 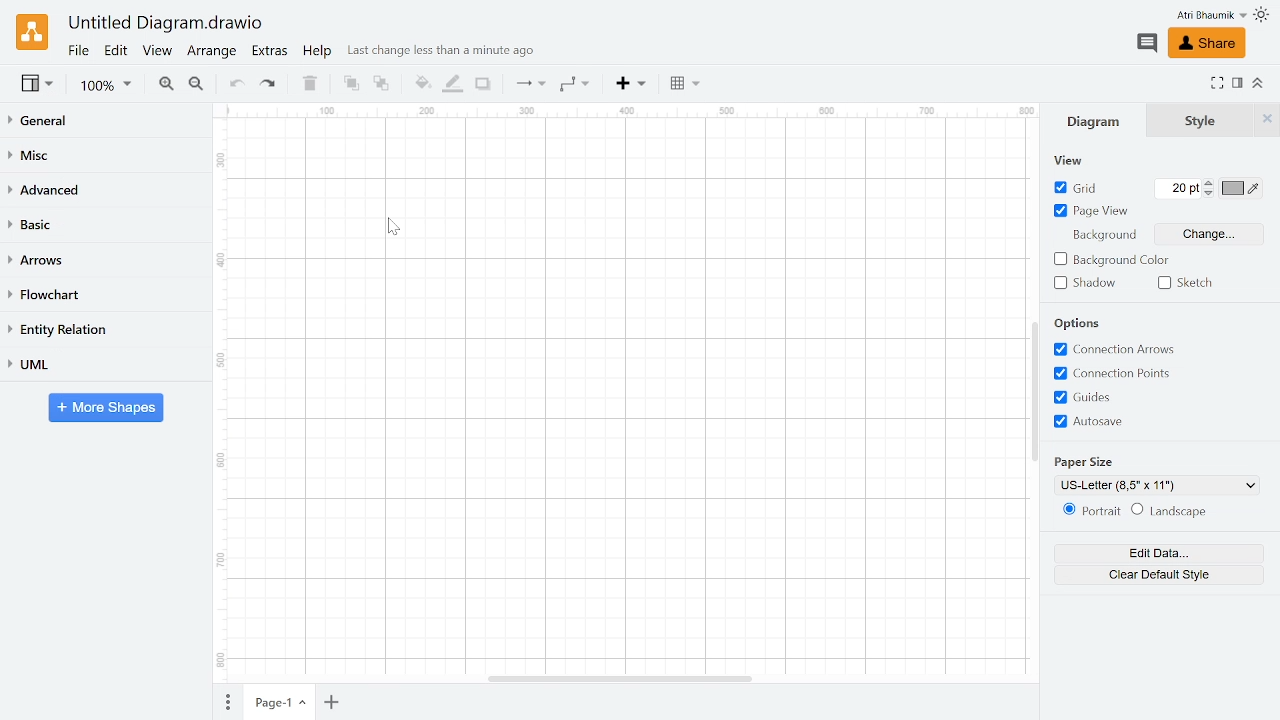 I want to click on help, so click(x=318, y=52).